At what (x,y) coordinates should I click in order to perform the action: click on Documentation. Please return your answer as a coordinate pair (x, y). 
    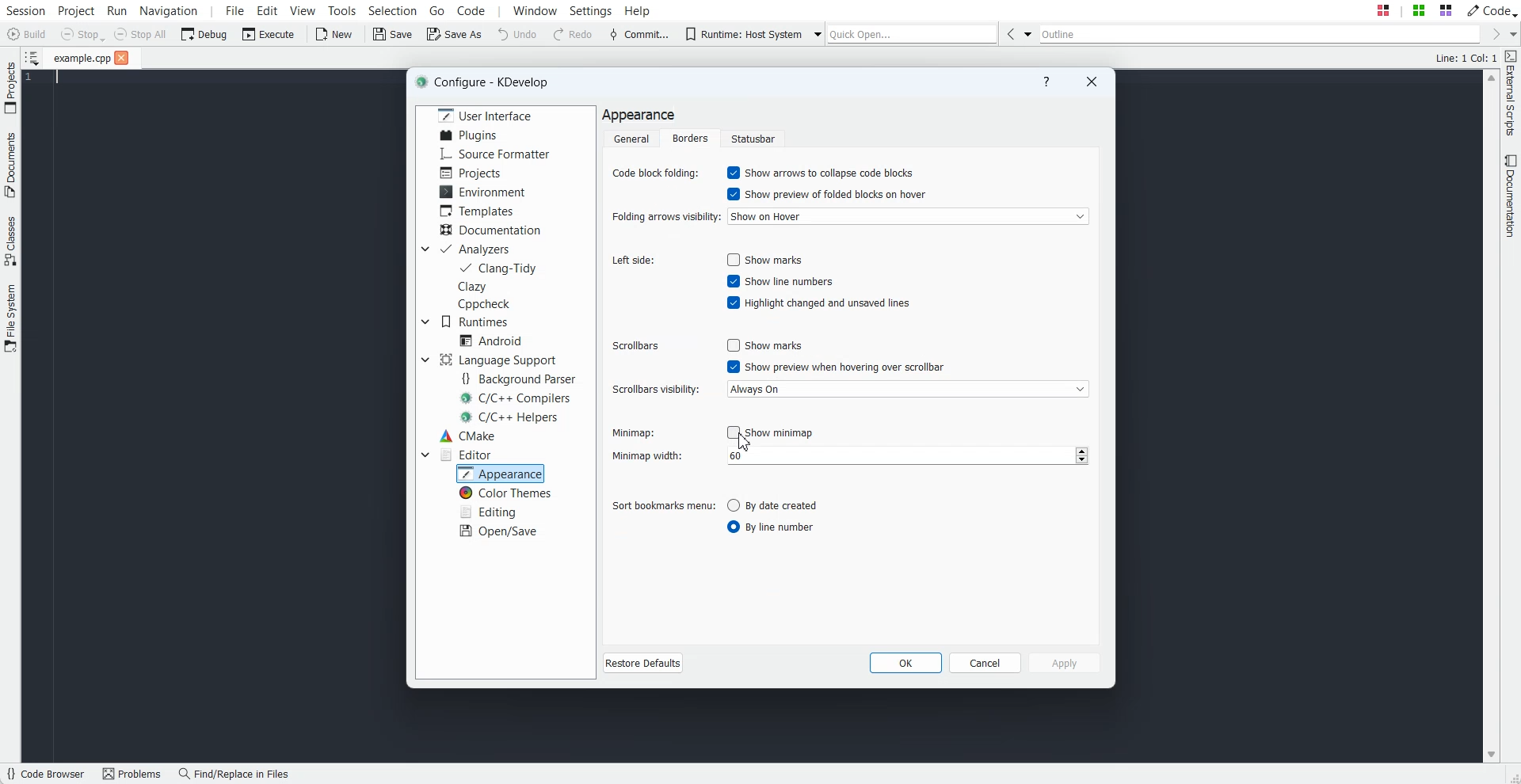
    Looking at the image, I should click on (1511, 196).